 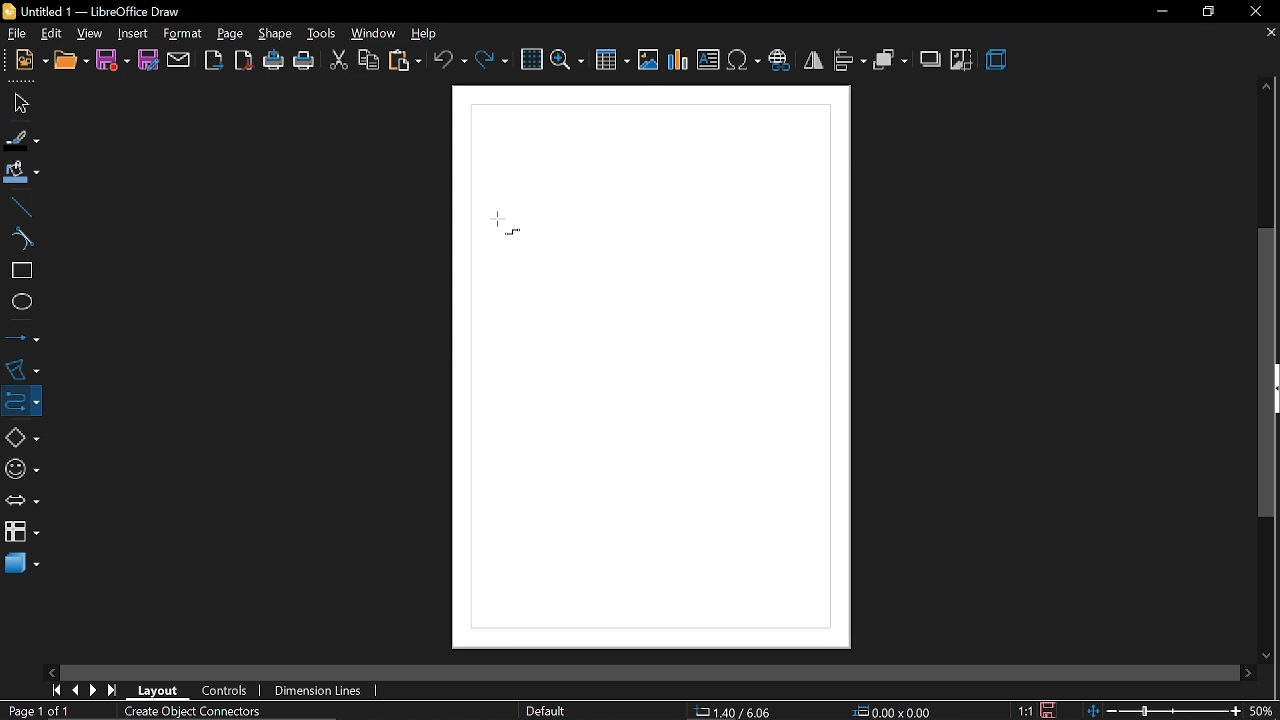 I want to click on 1:1, so click(x=1027, y=711).